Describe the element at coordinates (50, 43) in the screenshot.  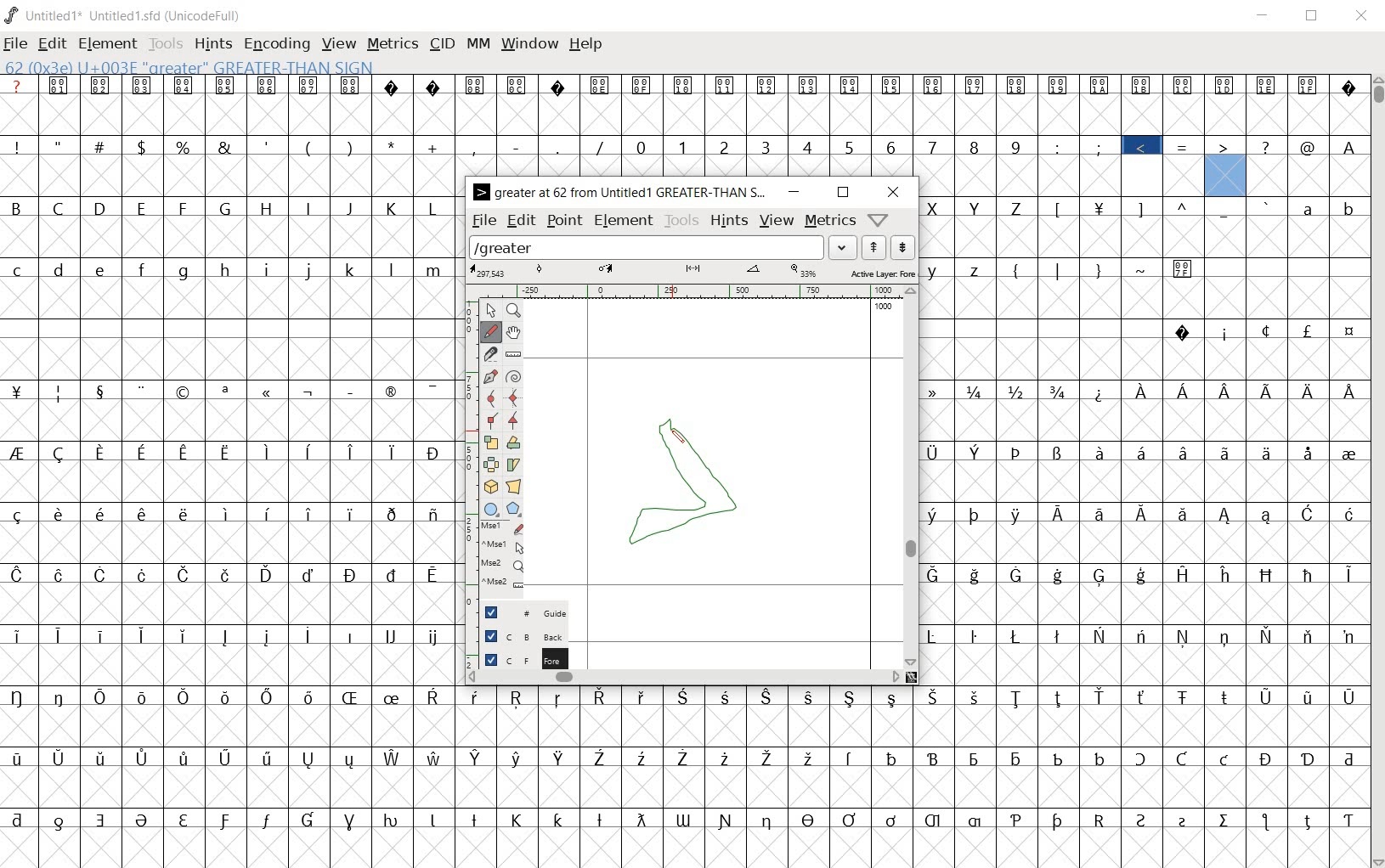
I see `edit` at that location.